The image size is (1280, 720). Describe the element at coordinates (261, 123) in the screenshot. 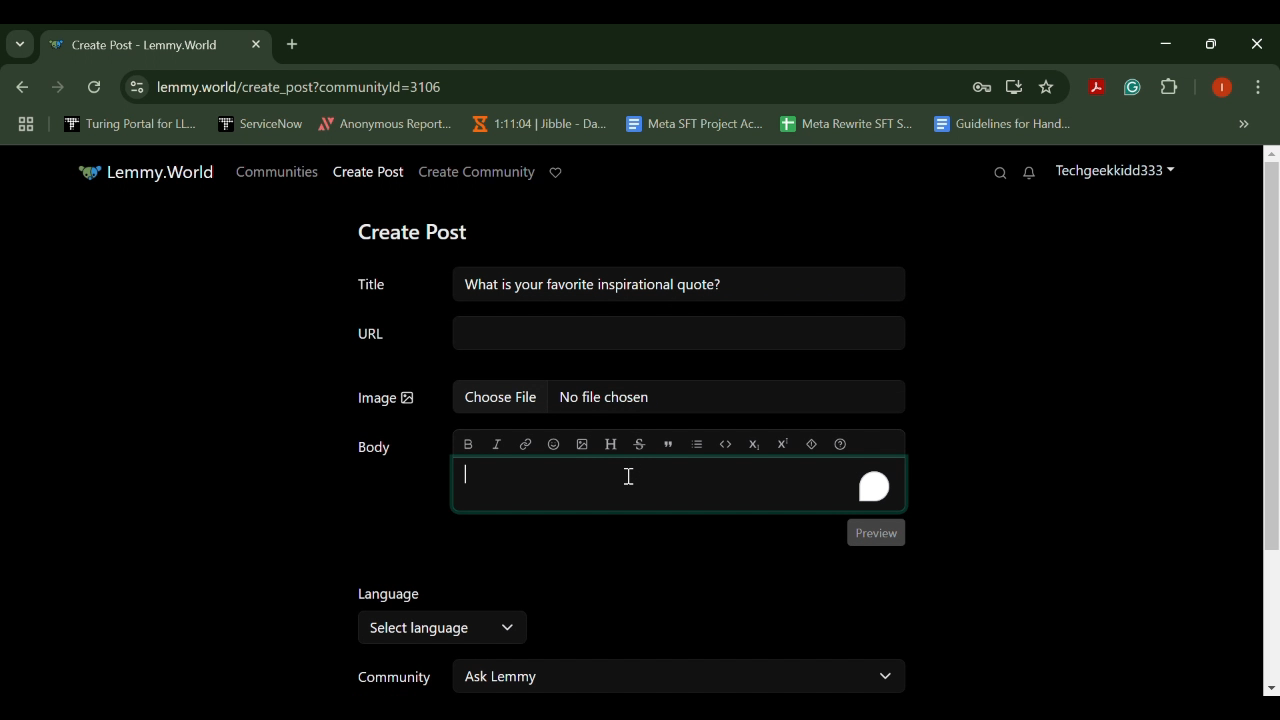

I see `ServiceNow` at that location.